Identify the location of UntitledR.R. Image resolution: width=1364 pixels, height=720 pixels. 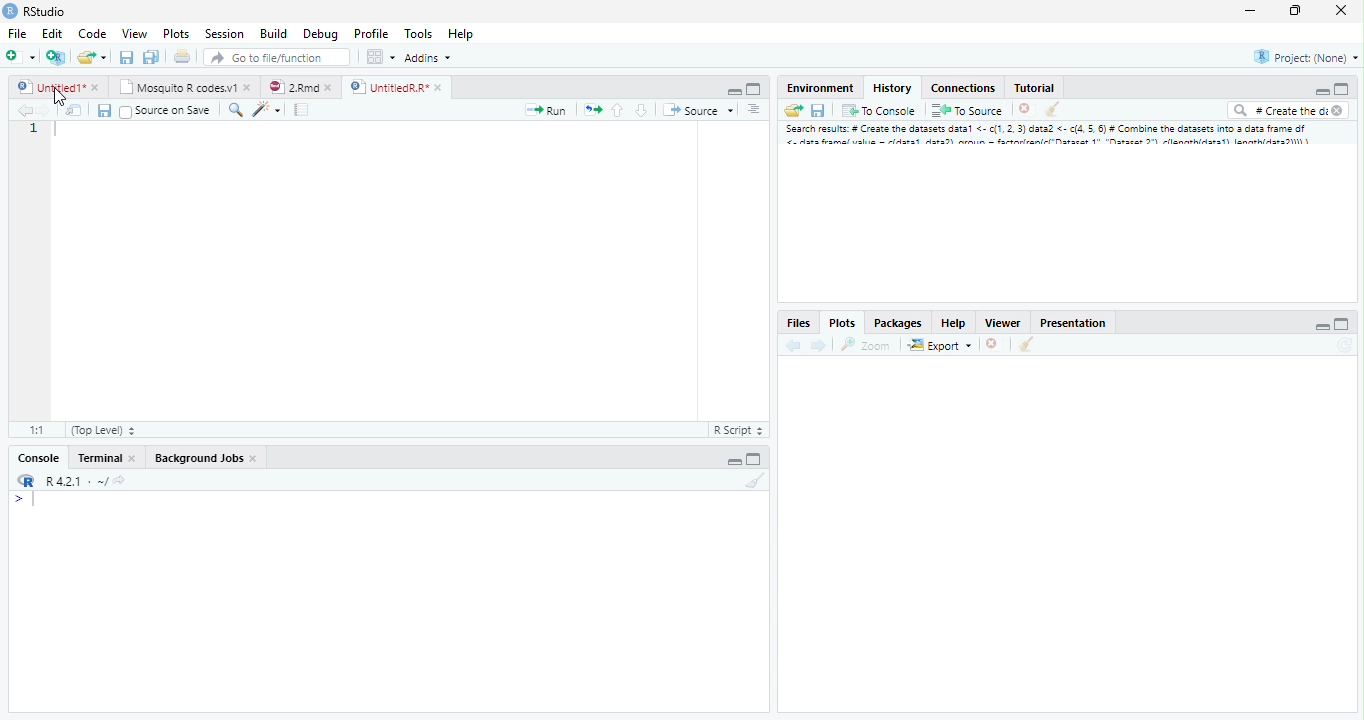
(396, 86).